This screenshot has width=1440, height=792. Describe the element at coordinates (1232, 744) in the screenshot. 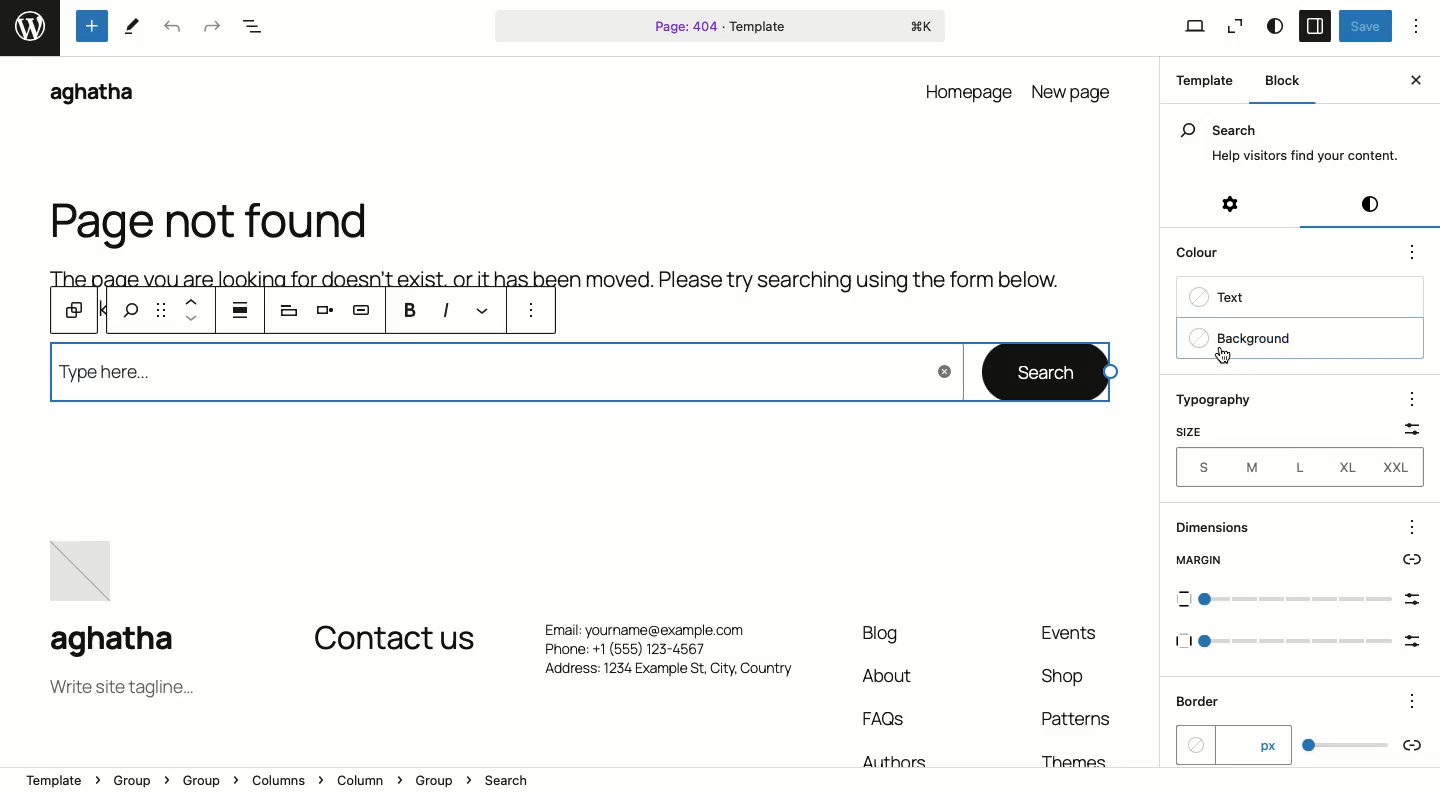

I see `px` at that location.